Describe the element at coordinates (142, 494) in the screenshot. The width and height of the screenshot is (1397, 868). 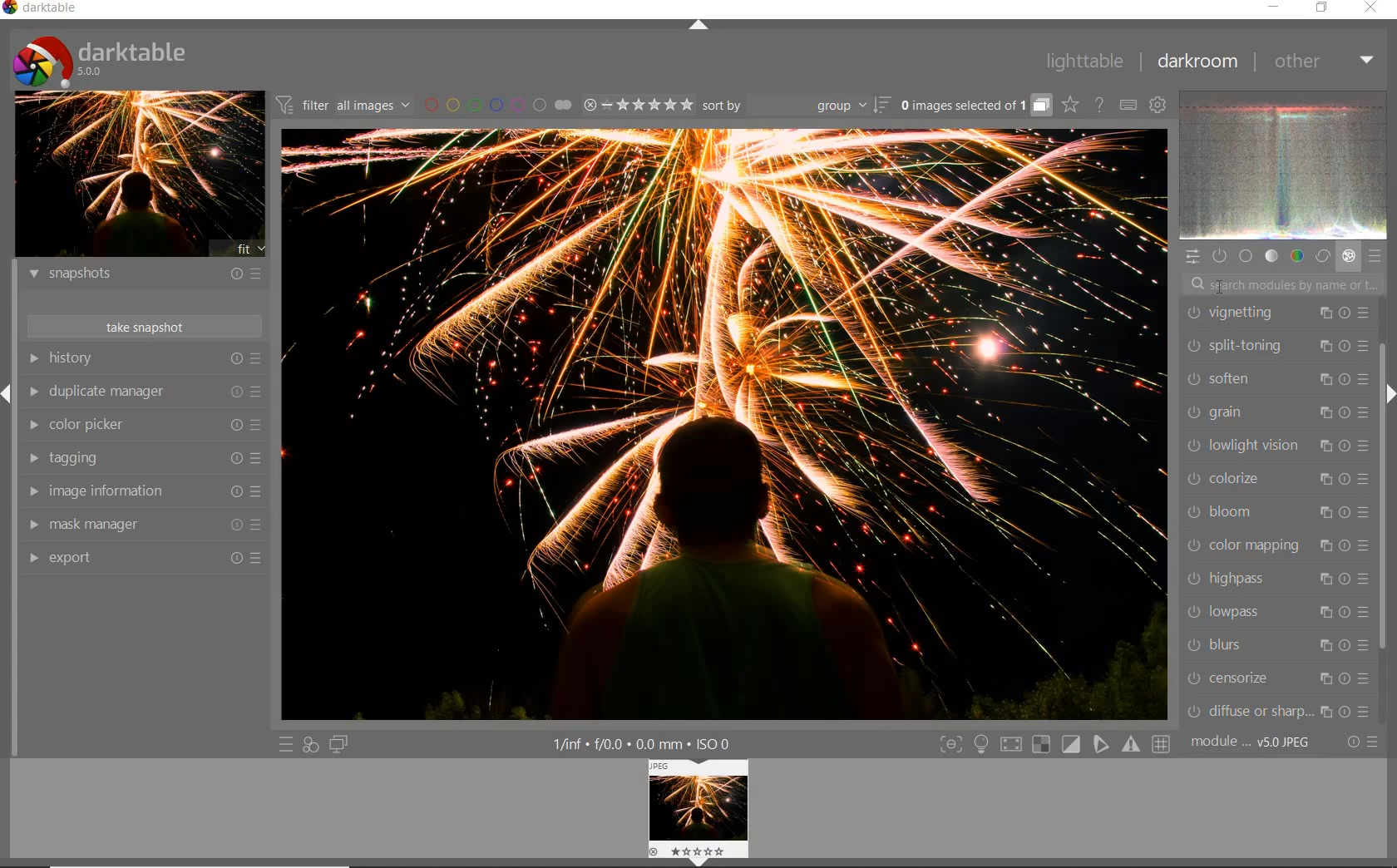
I see `image information` at that location.